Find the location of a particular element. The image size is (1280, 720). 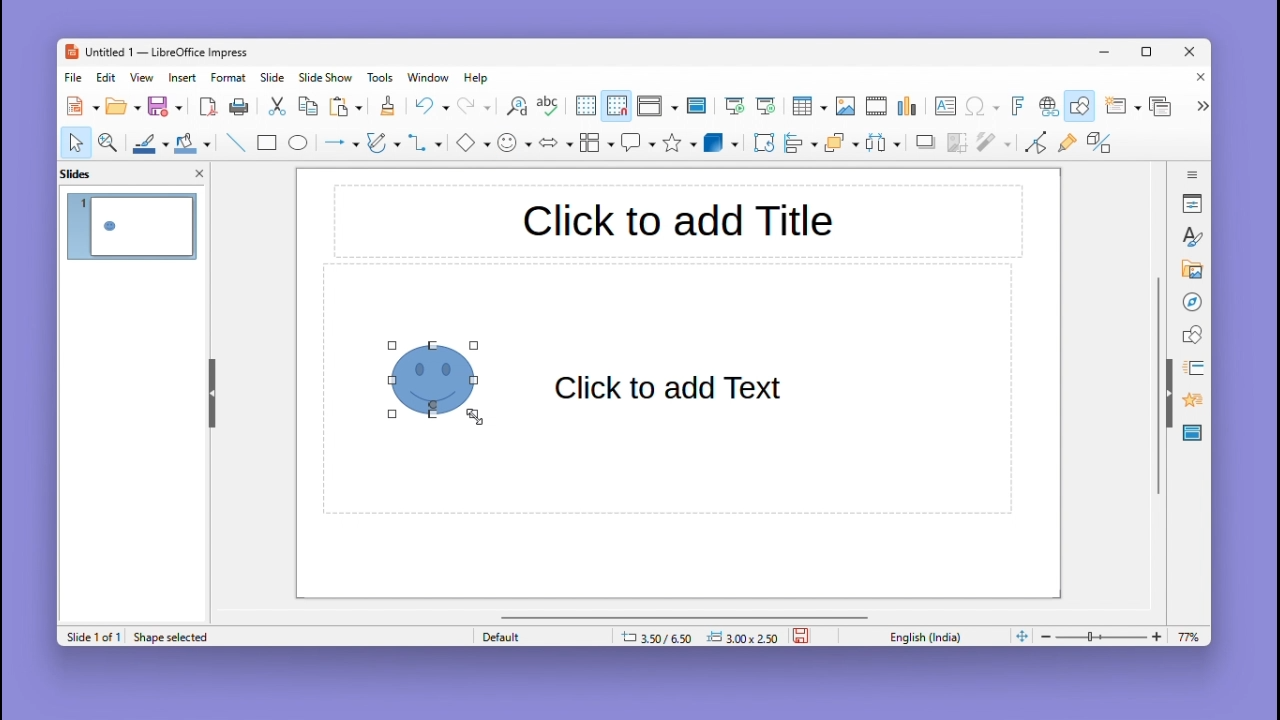

redo is located at coordinates (475, 107).